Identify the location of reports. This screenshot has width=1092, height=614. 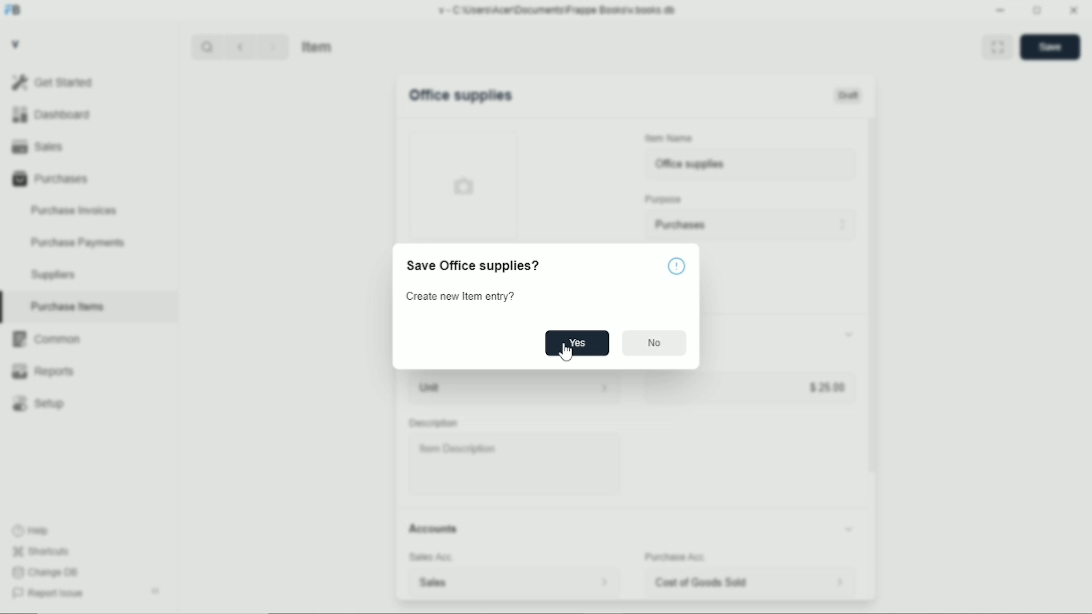
(42, 371).